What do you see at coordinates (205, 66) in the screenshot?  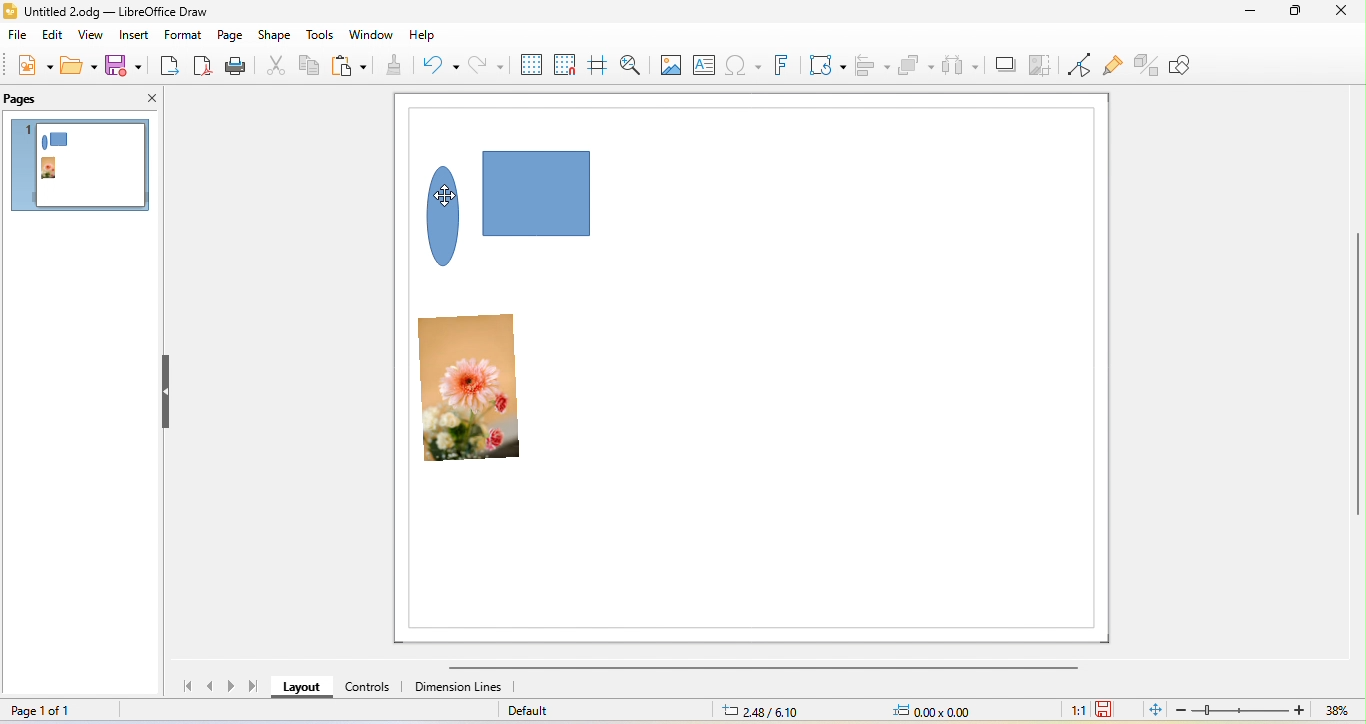 I see `export direct as pdf` at bounding box center [205, 66].